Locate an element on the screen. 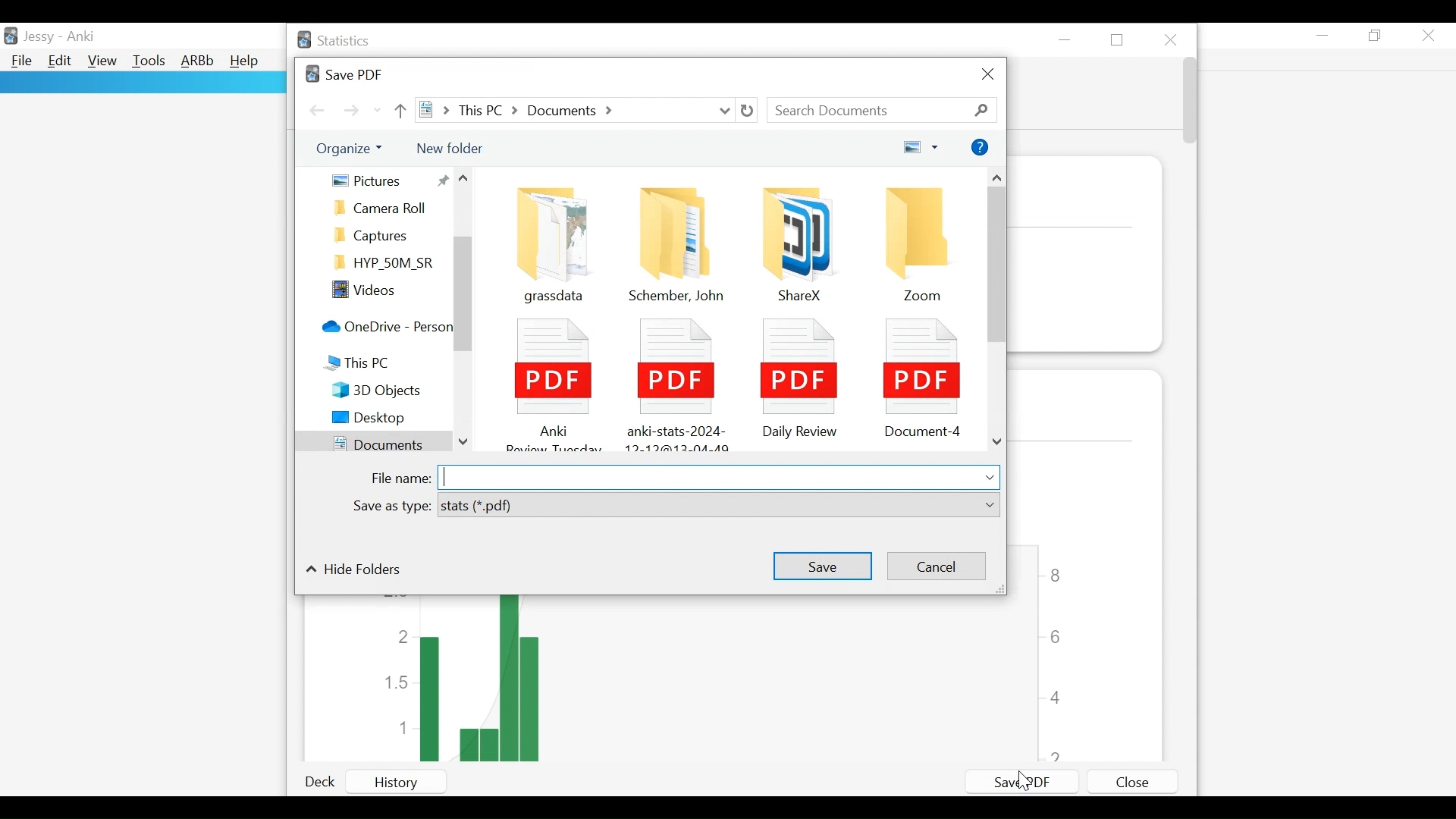 This screenshot has height=819, width=1456. scroll up is located at coordinates (467, 180).